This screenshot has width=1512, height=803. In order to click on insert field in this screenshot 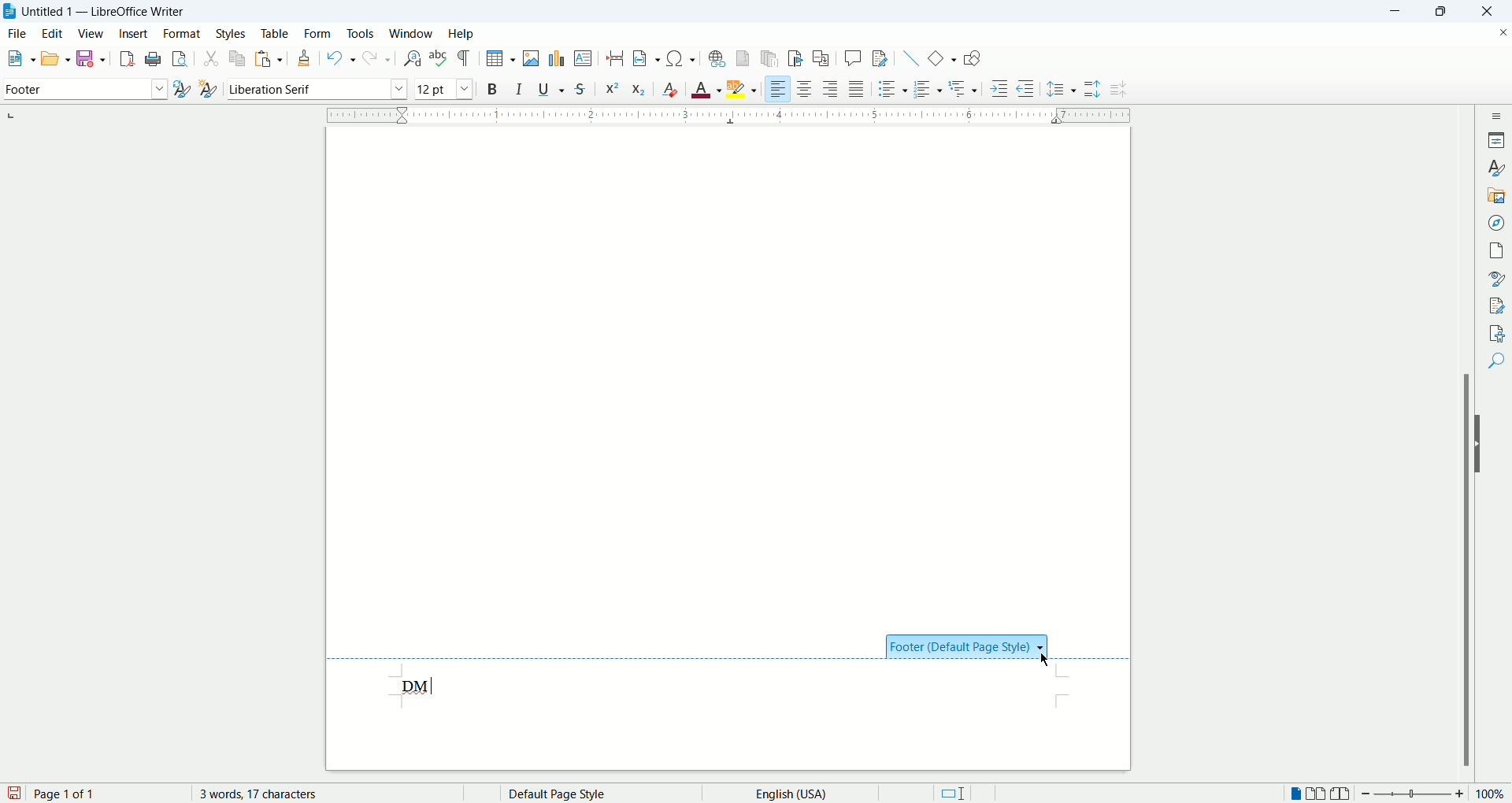, I will do `click(646, 59)`.